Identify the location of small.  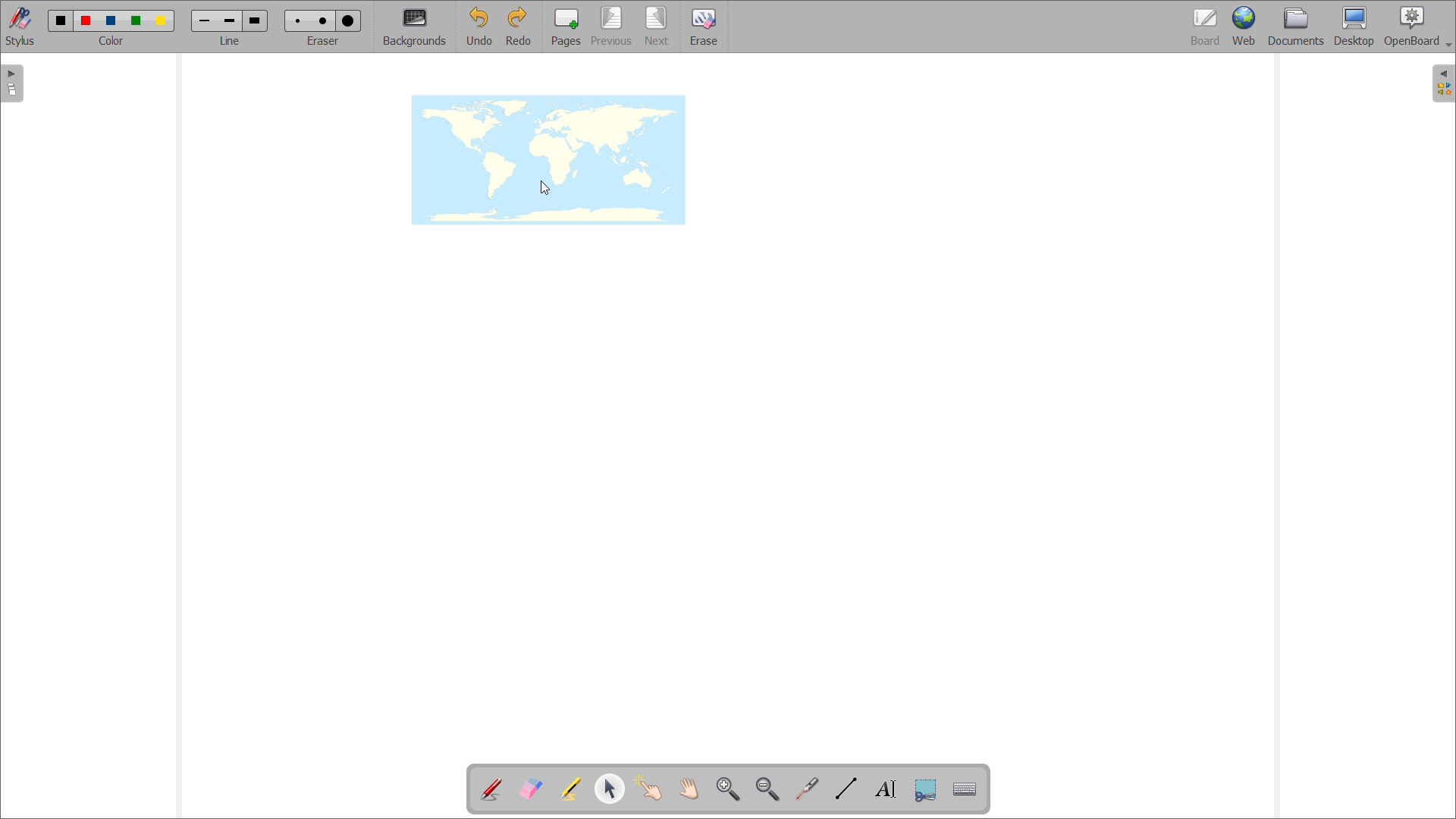
(298, 21).